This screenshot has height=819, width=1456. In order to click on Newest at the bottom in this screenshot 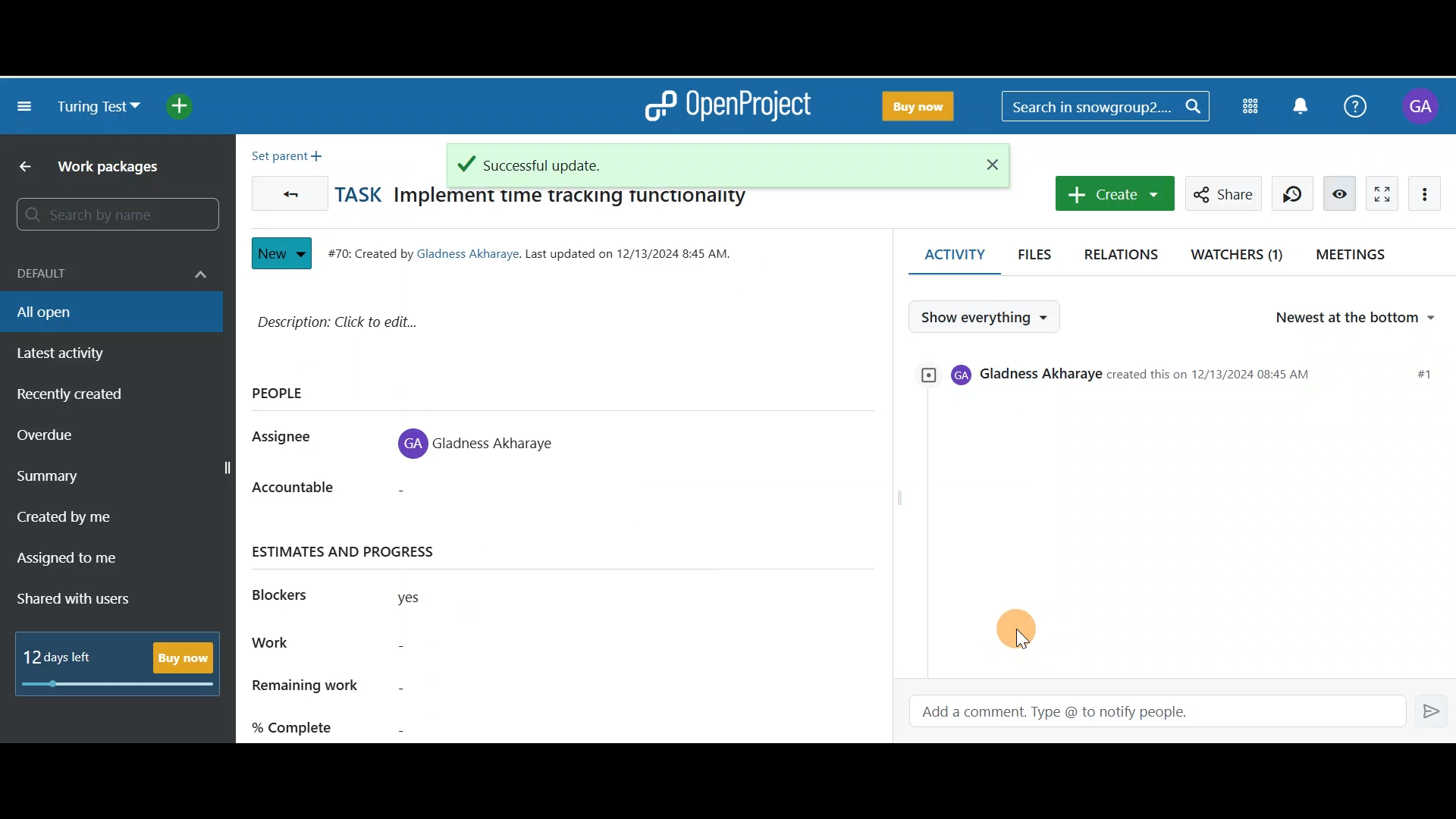, I will do `click(1363, 318)`.